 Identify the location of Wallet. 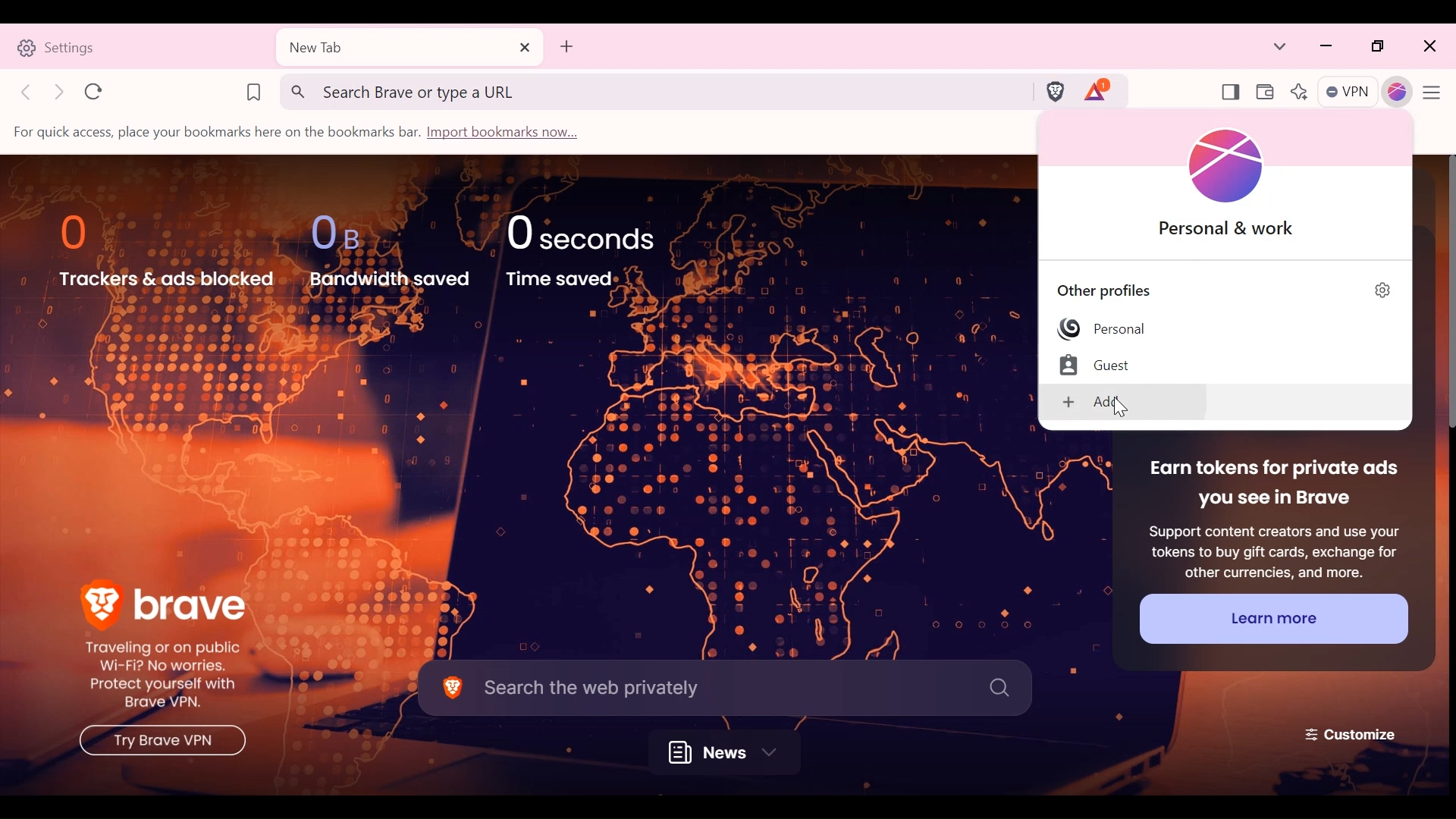
(1263, 93).